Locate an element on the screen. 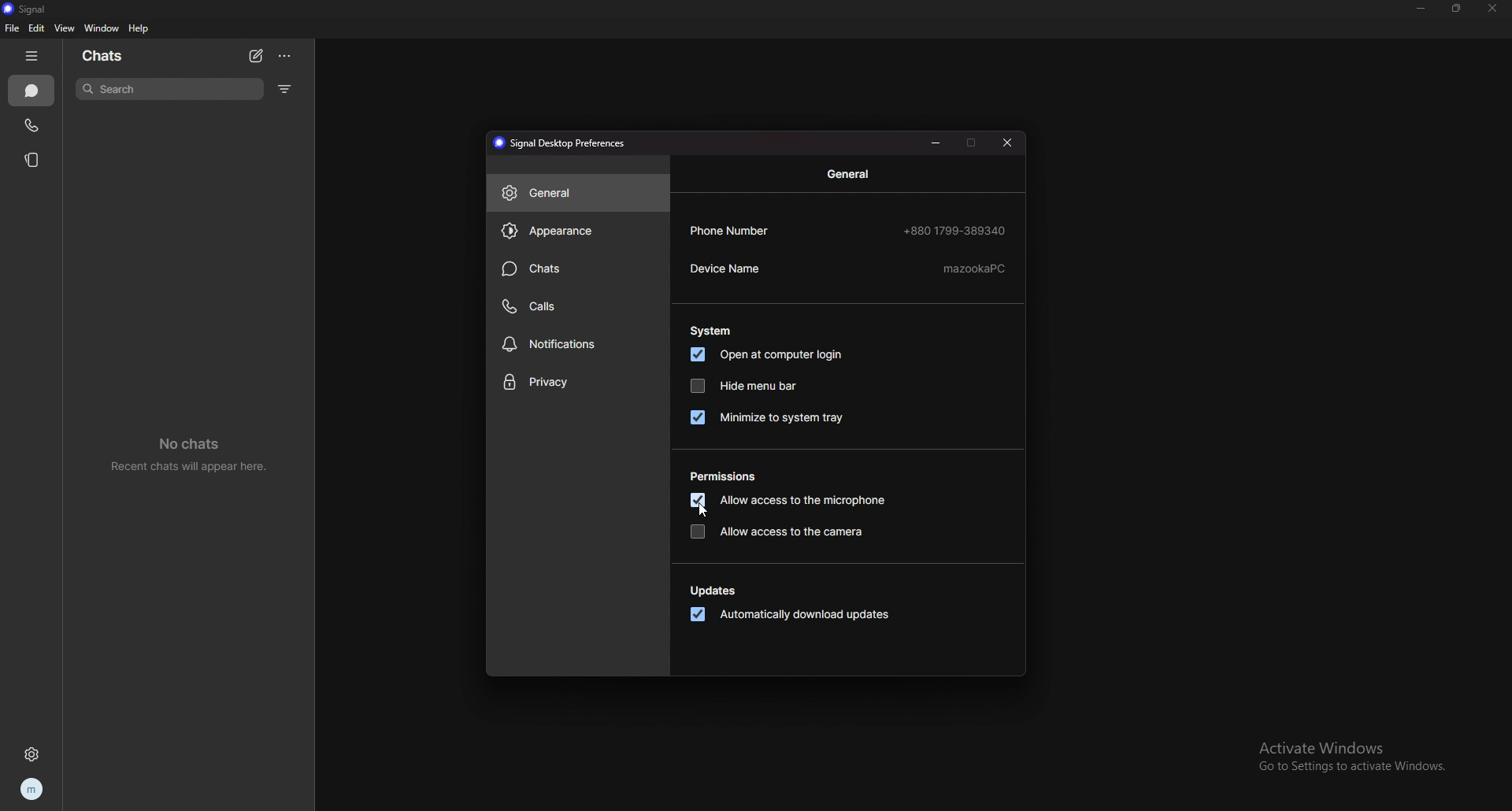 The image size is (1512, 811). minimize is located at coordinates (935, 143).